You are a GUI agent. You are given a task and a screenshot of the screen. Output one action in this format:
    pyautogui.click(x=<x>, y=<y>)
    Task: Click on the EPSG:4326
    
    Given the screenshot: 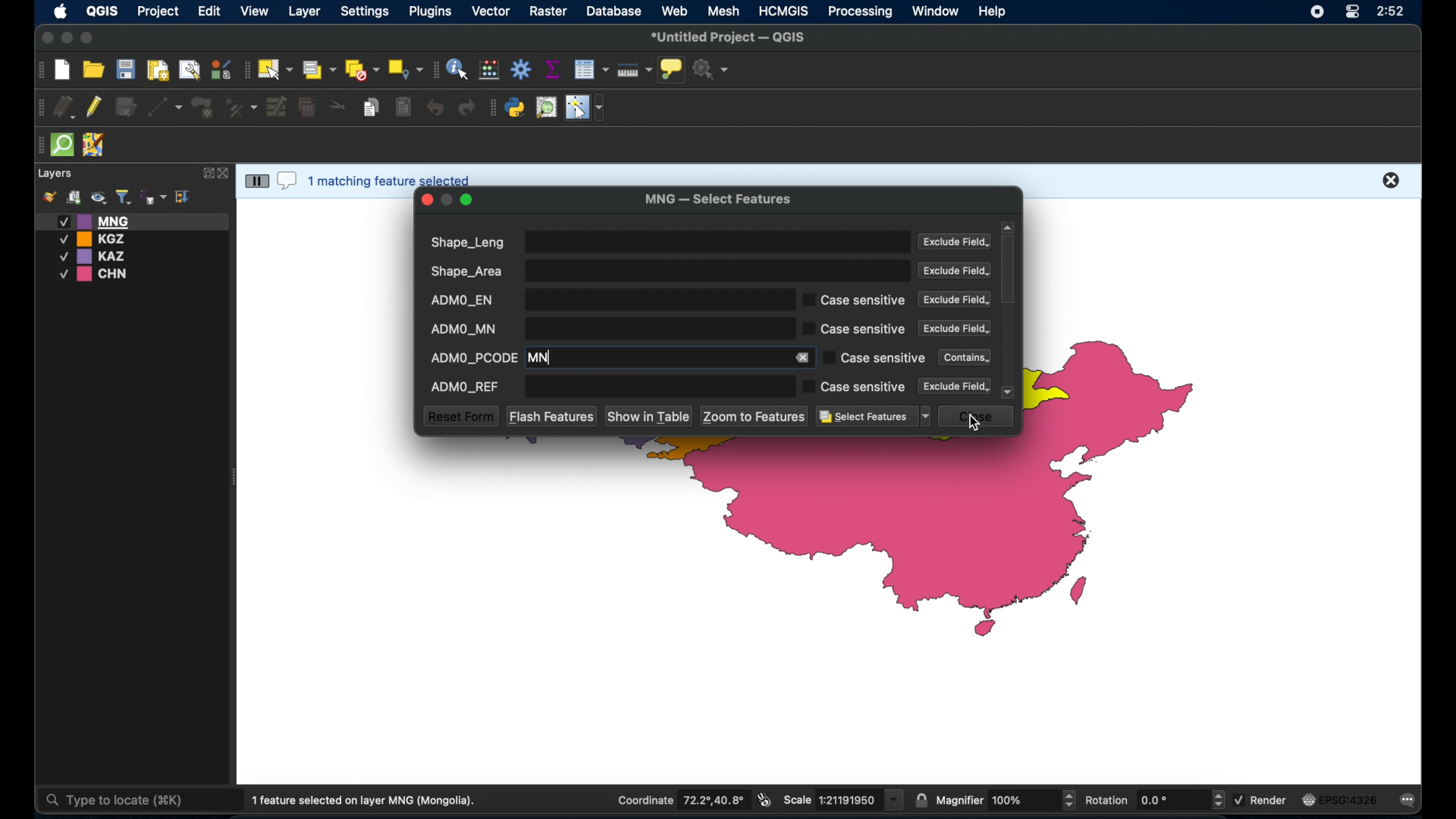 What is the action you would take?
    pyautogui.click(x=1341, y=800)
    